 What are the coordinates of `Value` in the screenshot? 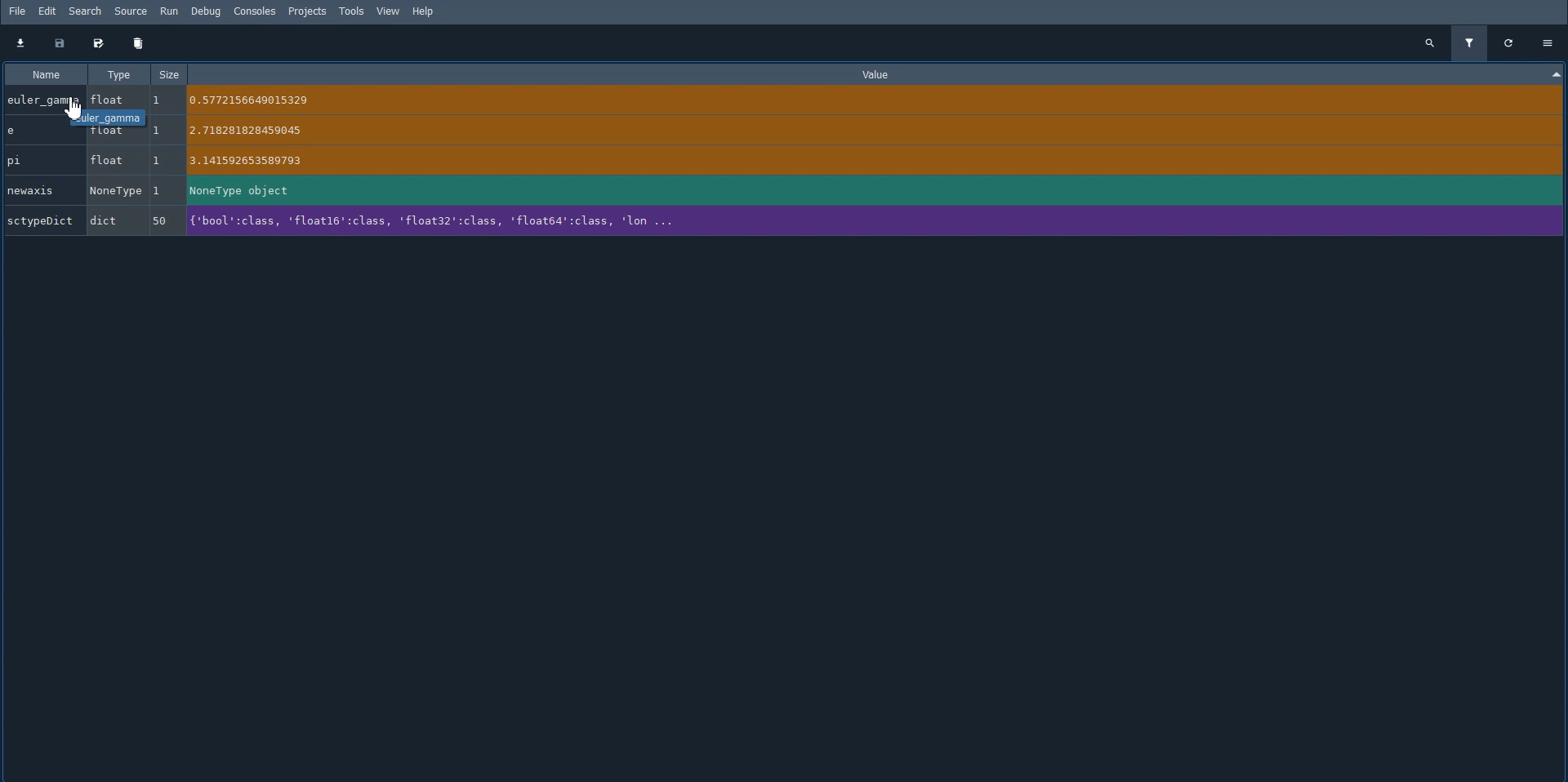 It's located at (879, 73).